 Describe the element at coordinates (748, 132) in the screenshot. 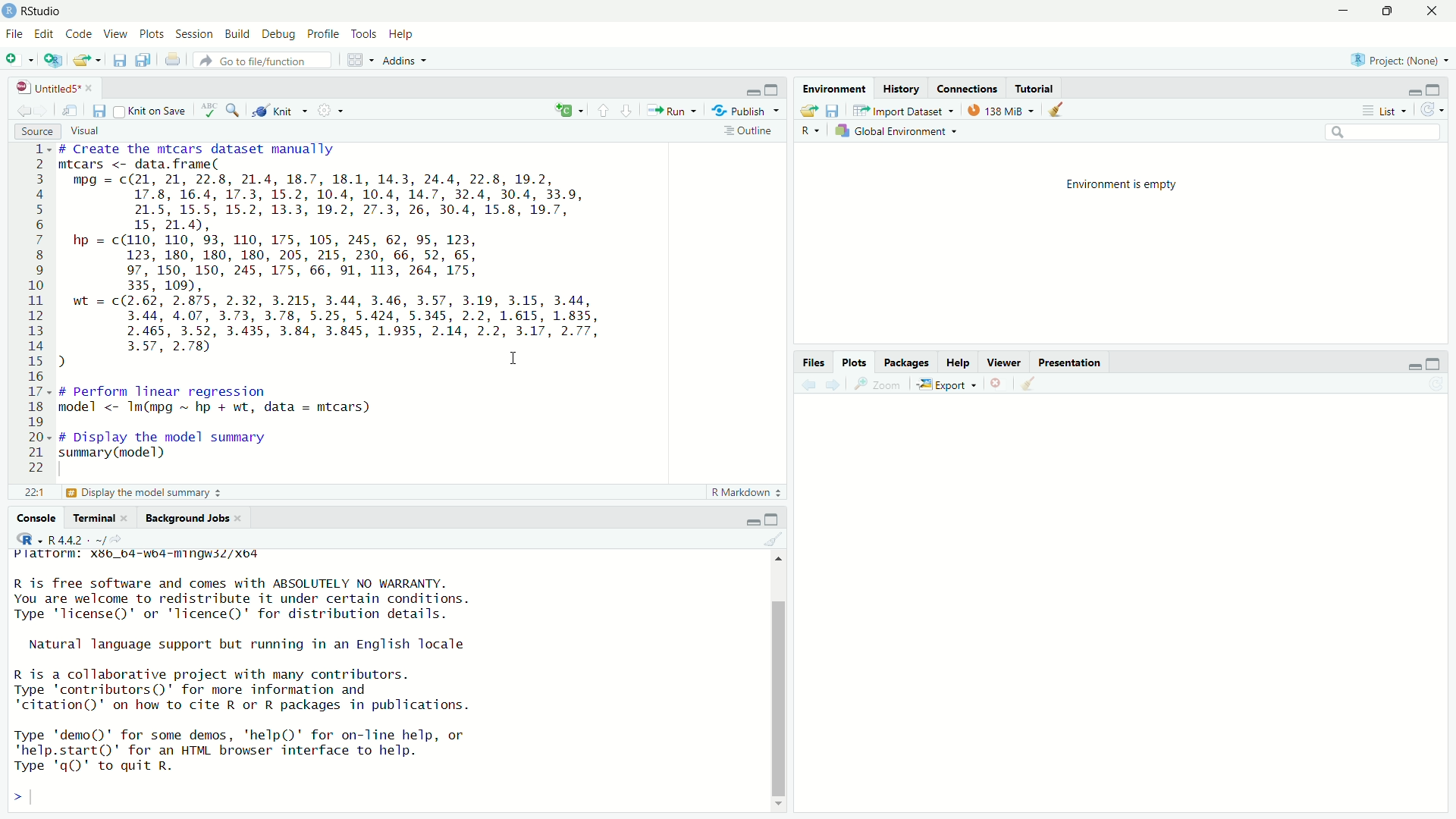

I see `outline` at that location.